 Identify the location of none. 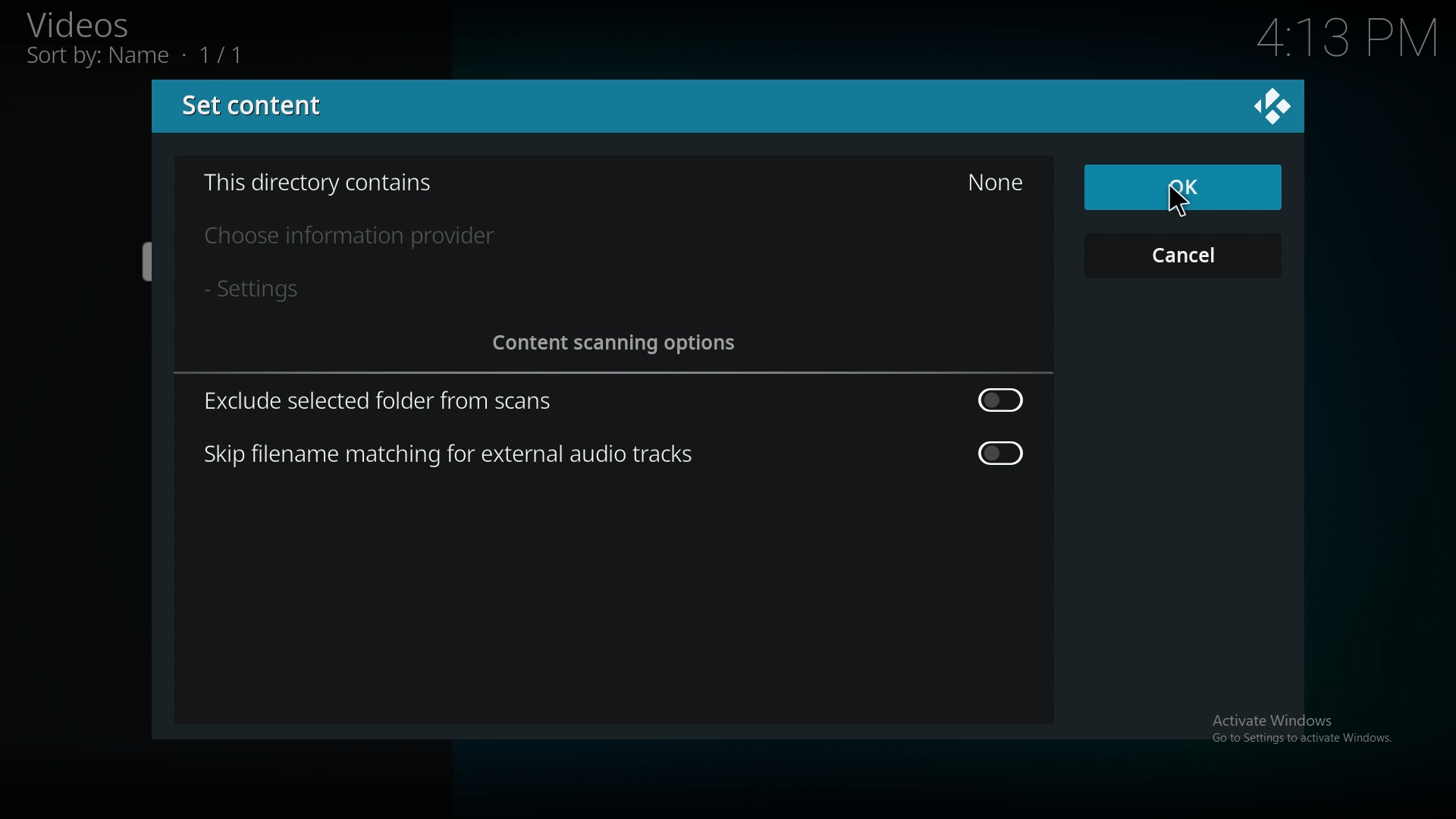
(994, 182).